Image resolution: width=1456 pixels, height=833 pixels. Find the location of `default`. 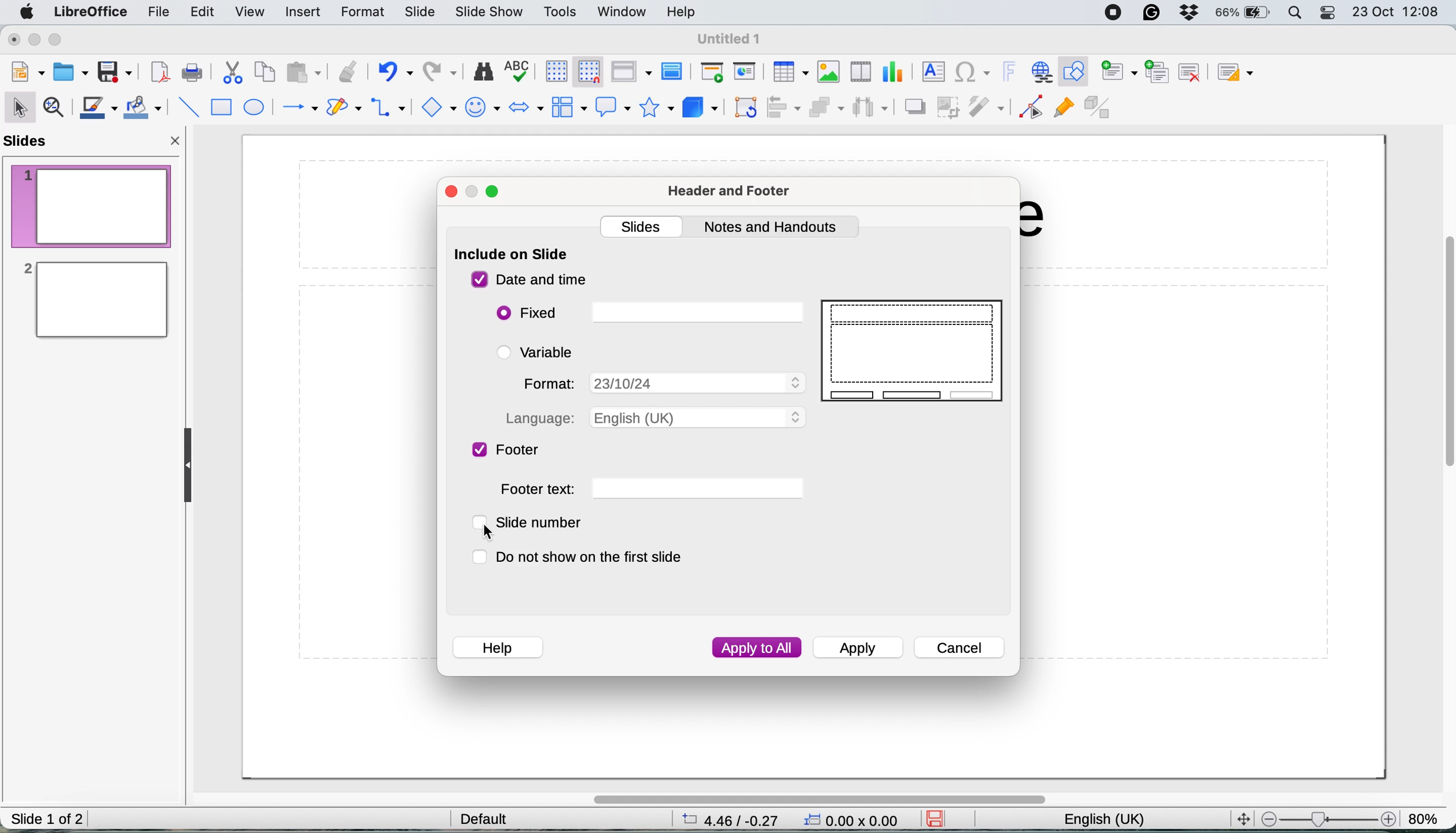

default is located at coordinates (489, 818).